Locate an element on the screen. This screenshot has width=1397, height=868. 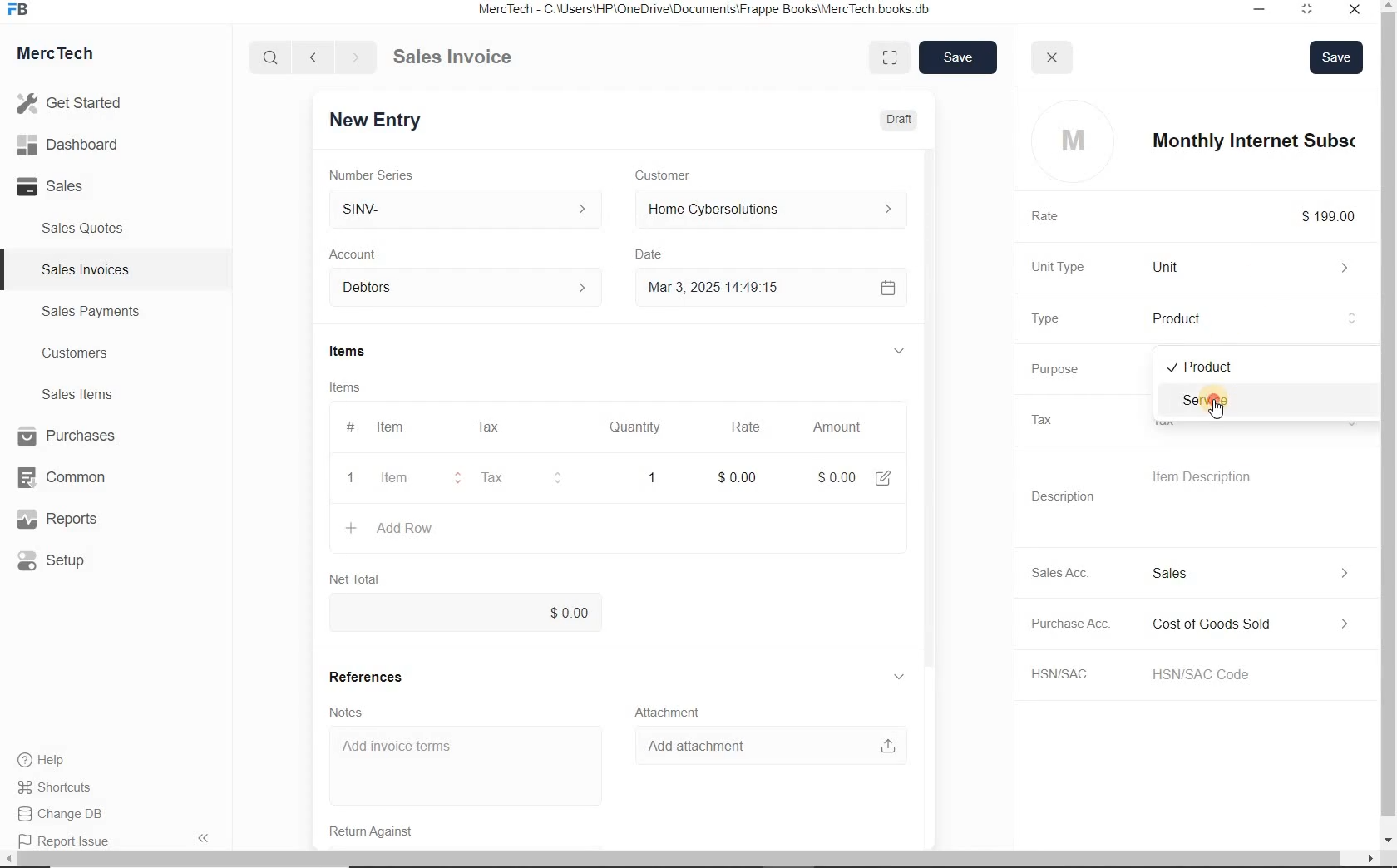
hide sub menu is located at coordinates (909, 677).